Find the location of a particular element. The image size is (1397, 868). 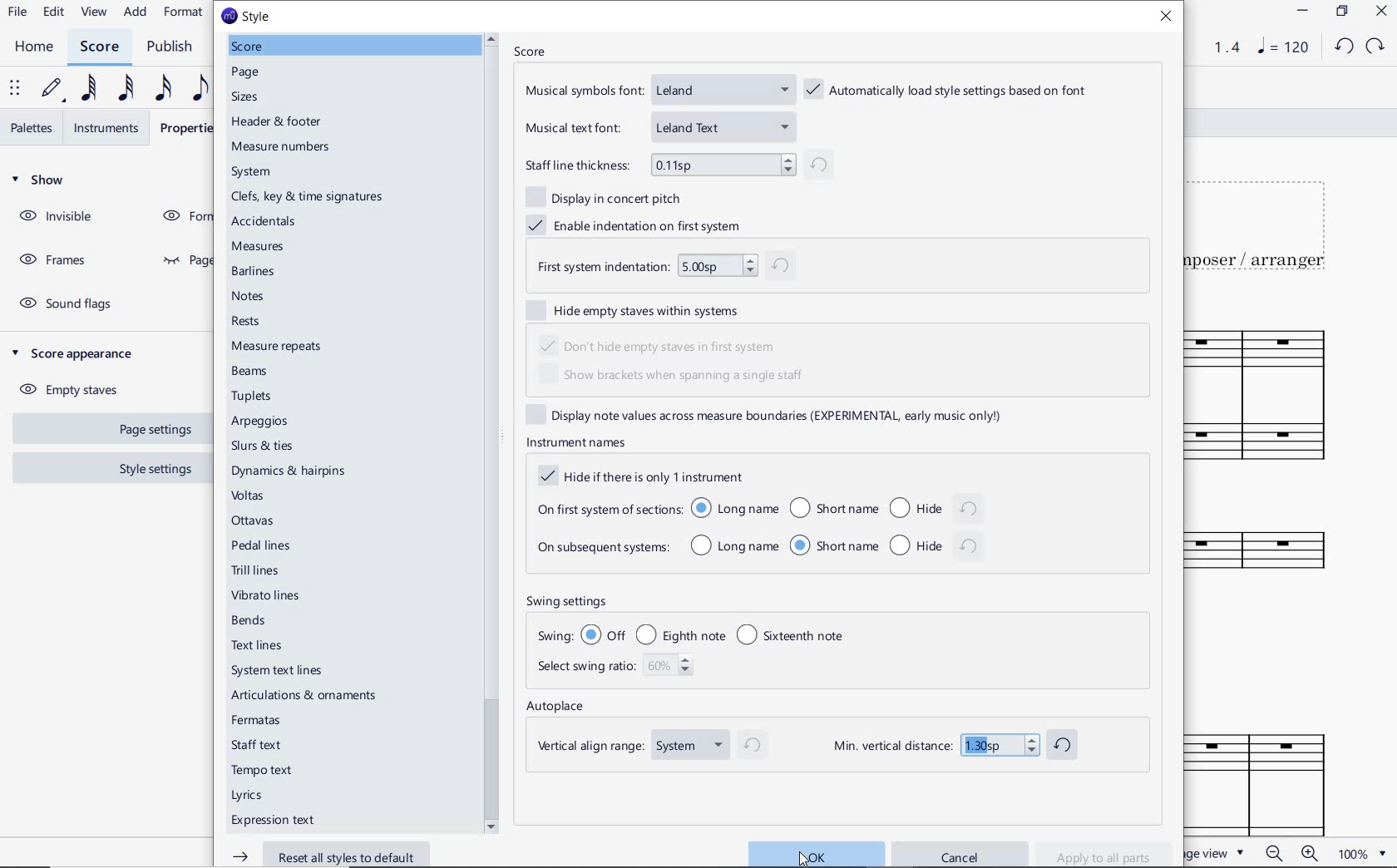

FIRST SYSTEM INDENTATION is located at coordinates (665, 267).